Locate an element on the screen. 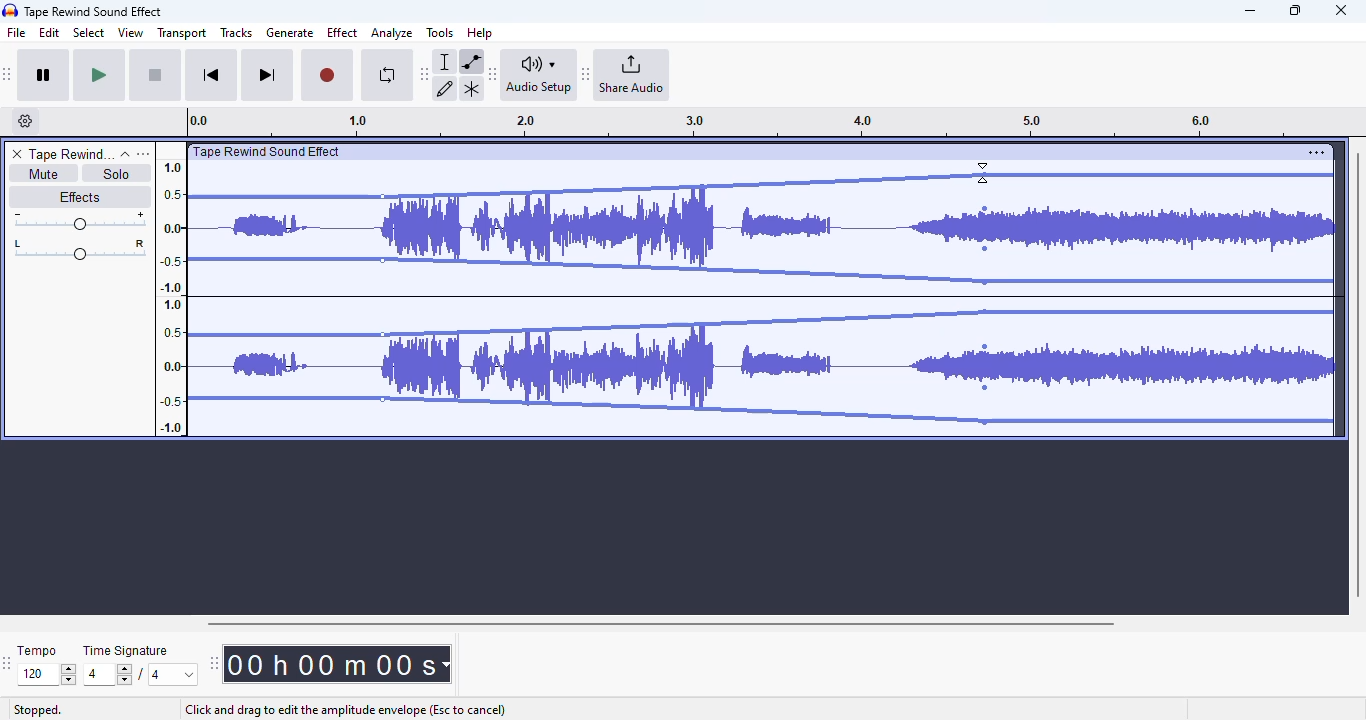 The image size is (1366, 720). record is located at coordinates (327, 76).